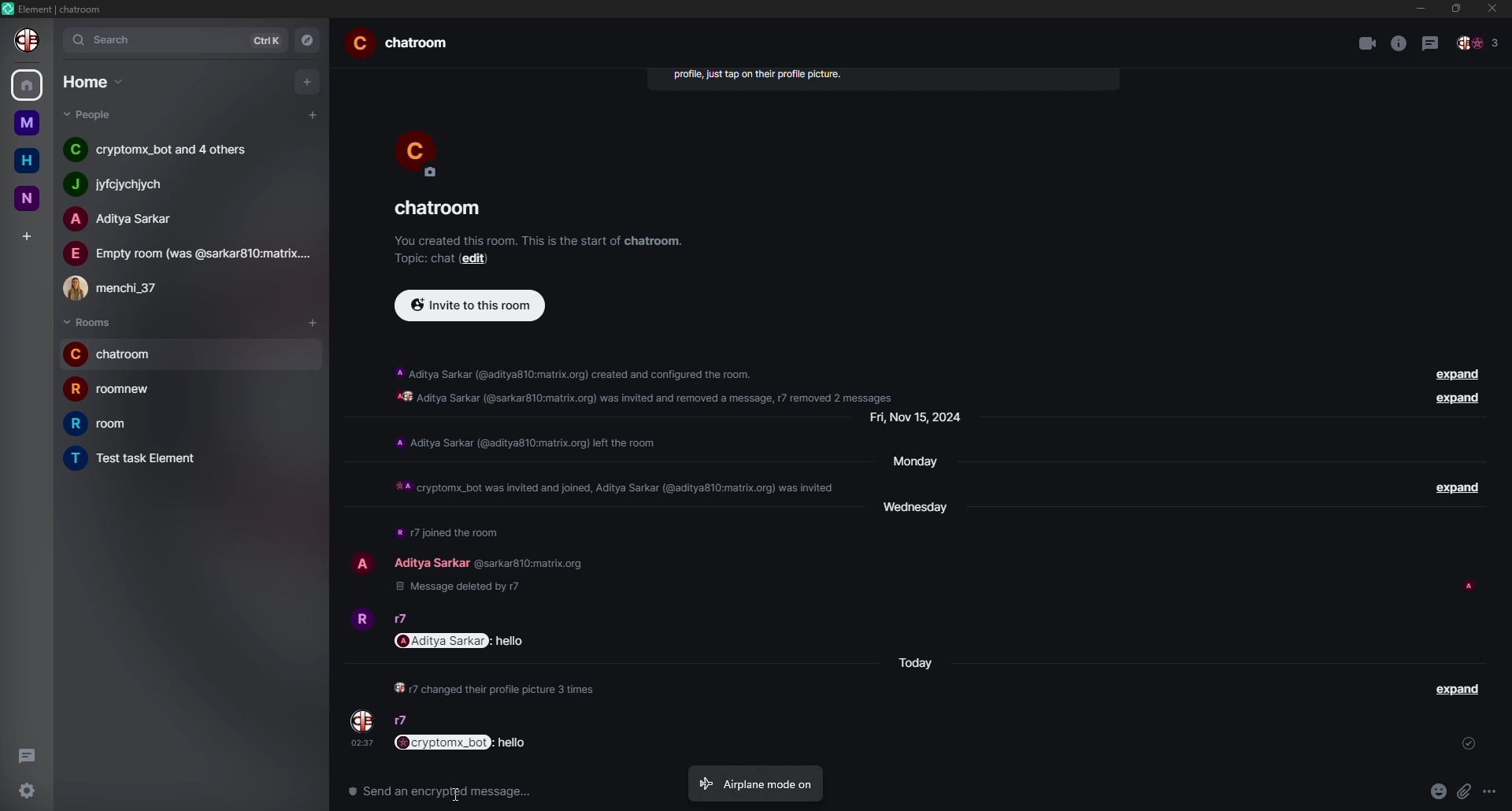  What do you see at coordinates (120, 289) in the screenshot?
I see `people` at bounding box center [120, 289].